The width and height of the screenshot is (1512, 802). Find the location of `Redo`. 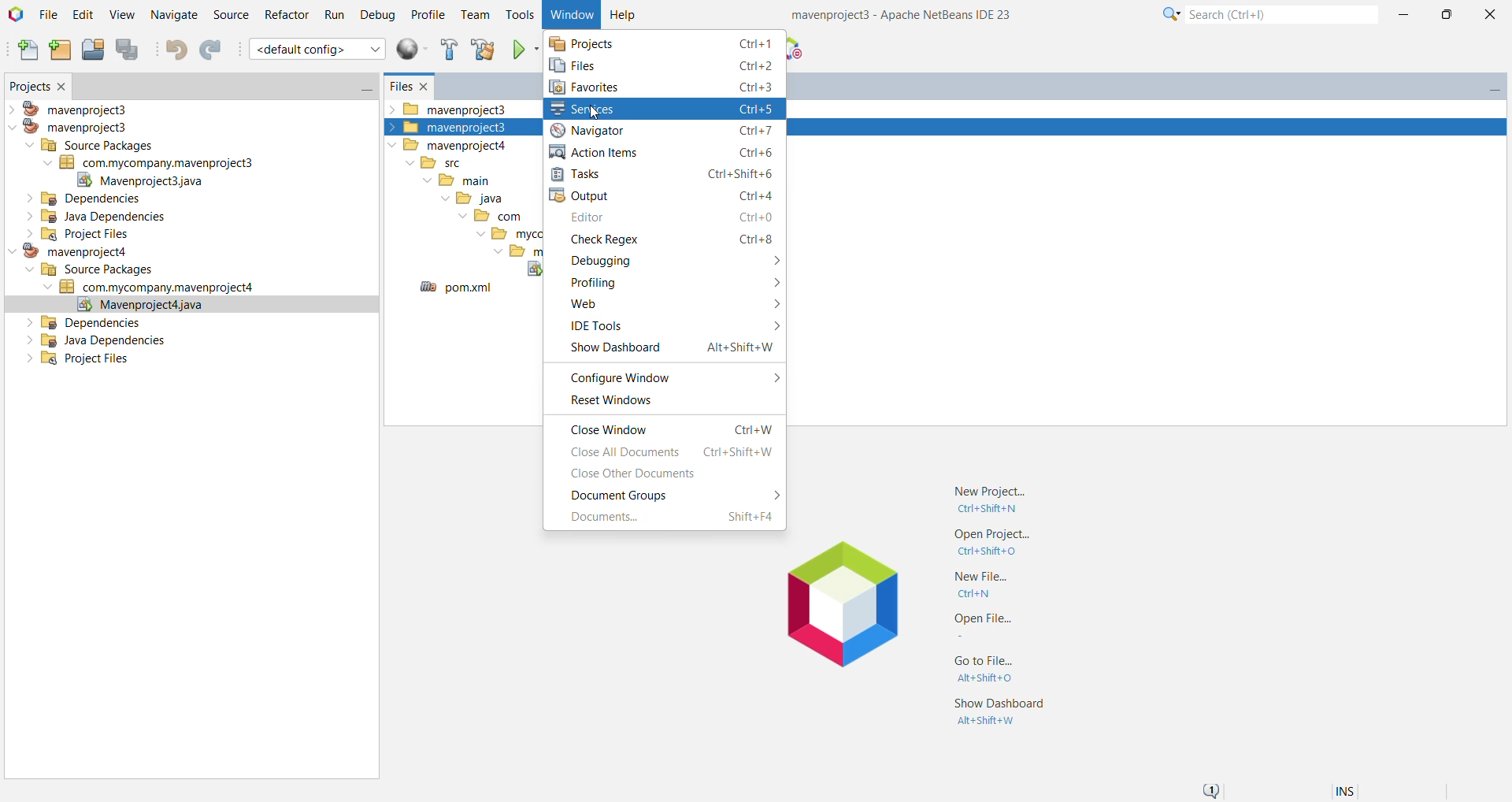

Redo is located at coordinates (214, 50).